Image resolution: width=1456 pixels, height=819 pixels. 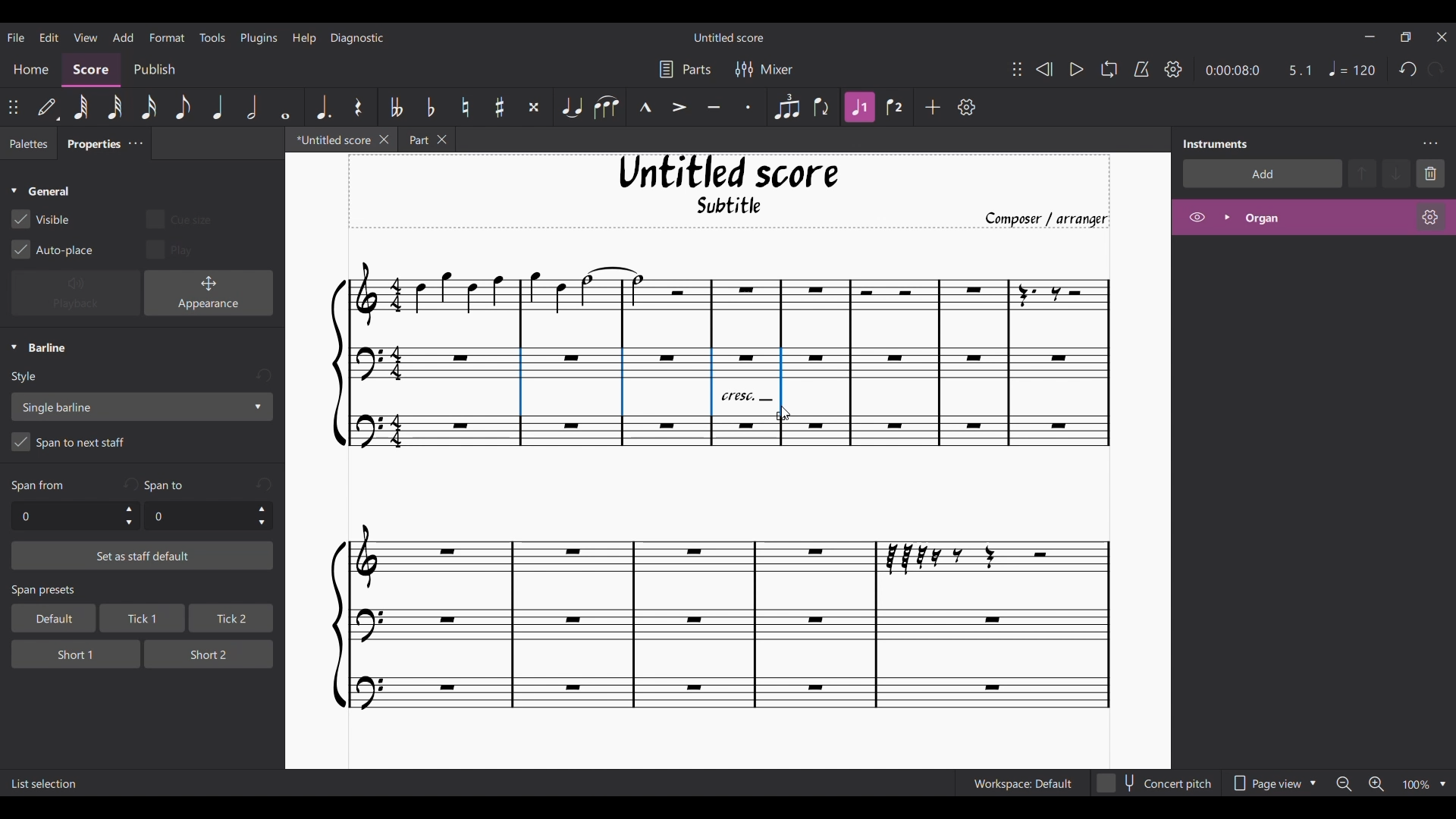 I want to click on Toggle for Play, so click(x=171, y=249).